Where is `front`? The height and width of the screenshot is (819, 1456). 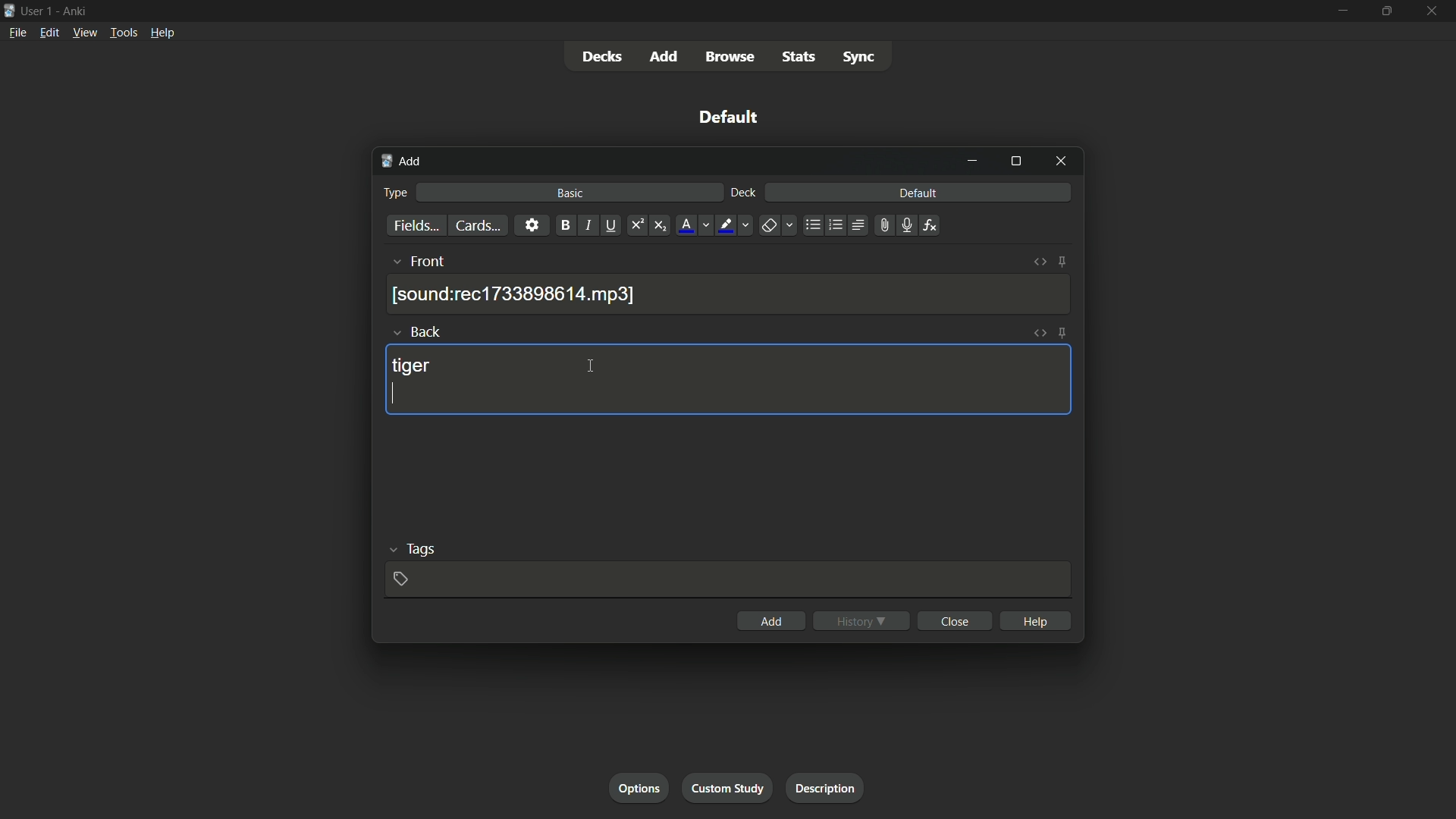 front is located at coordinates (429, 262).